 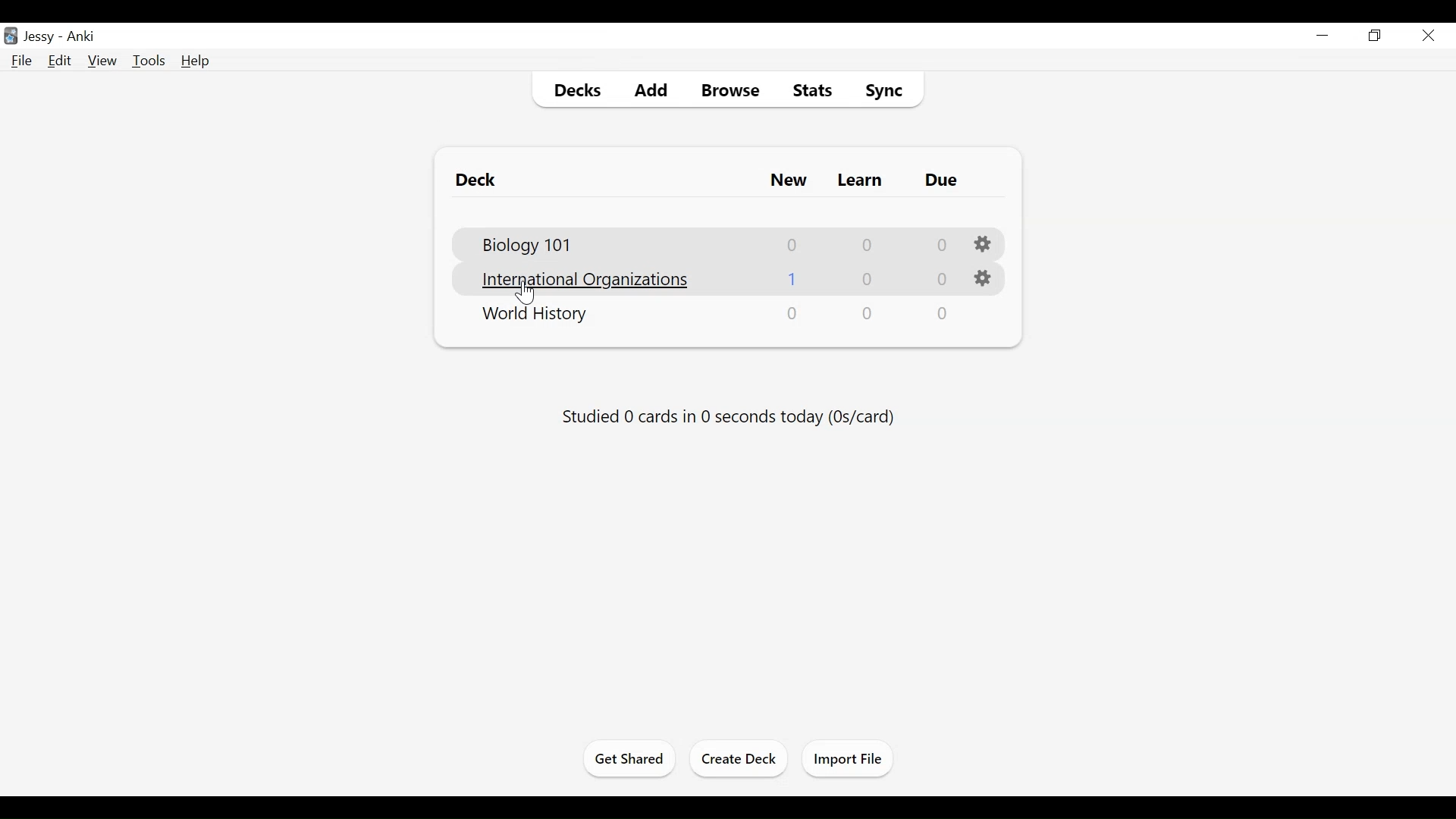 I want to click on Add, so click(x=652, y=91).